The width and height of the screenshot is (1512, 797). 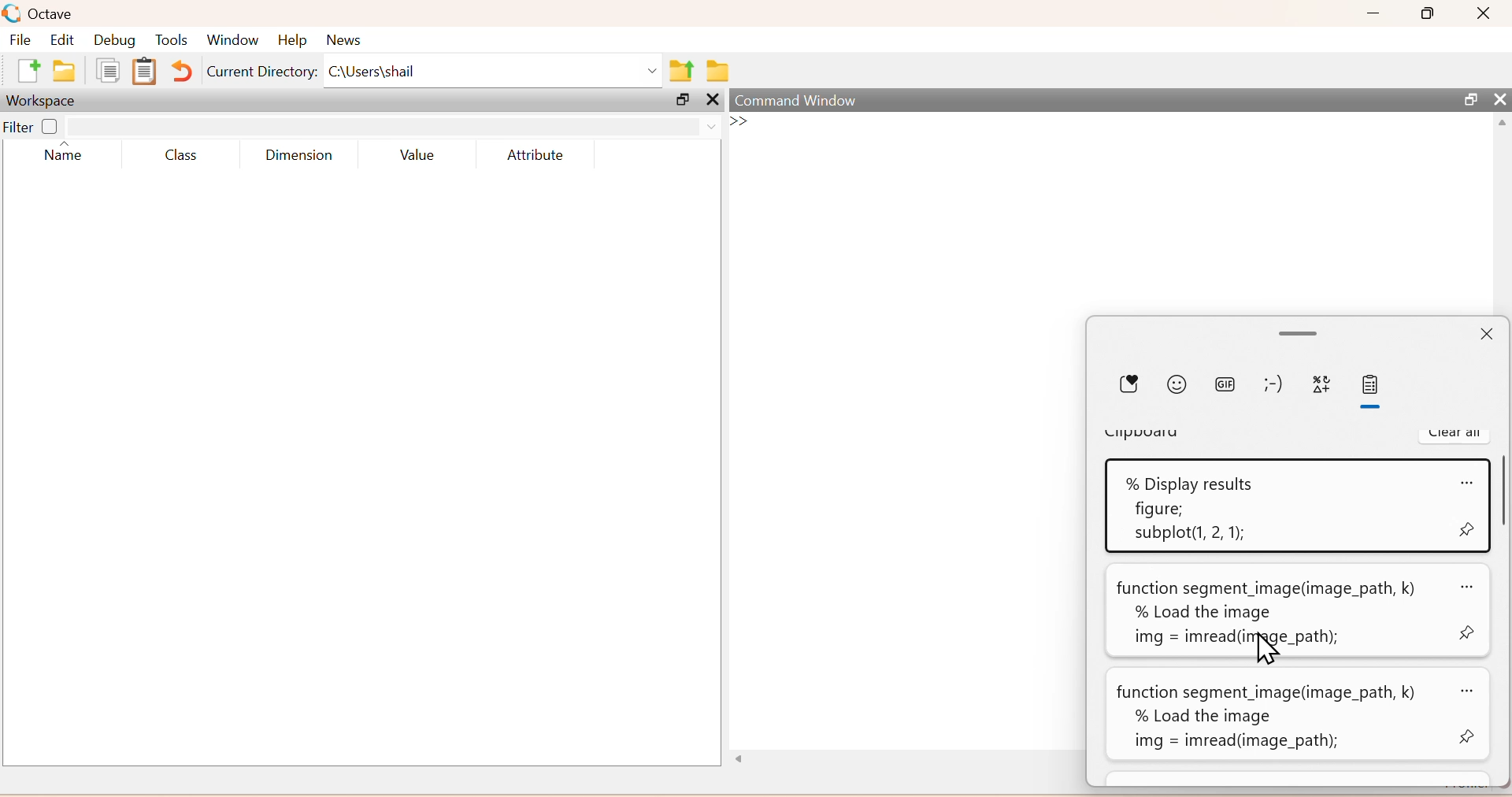 I want to click on , so click(x=746, y=759).